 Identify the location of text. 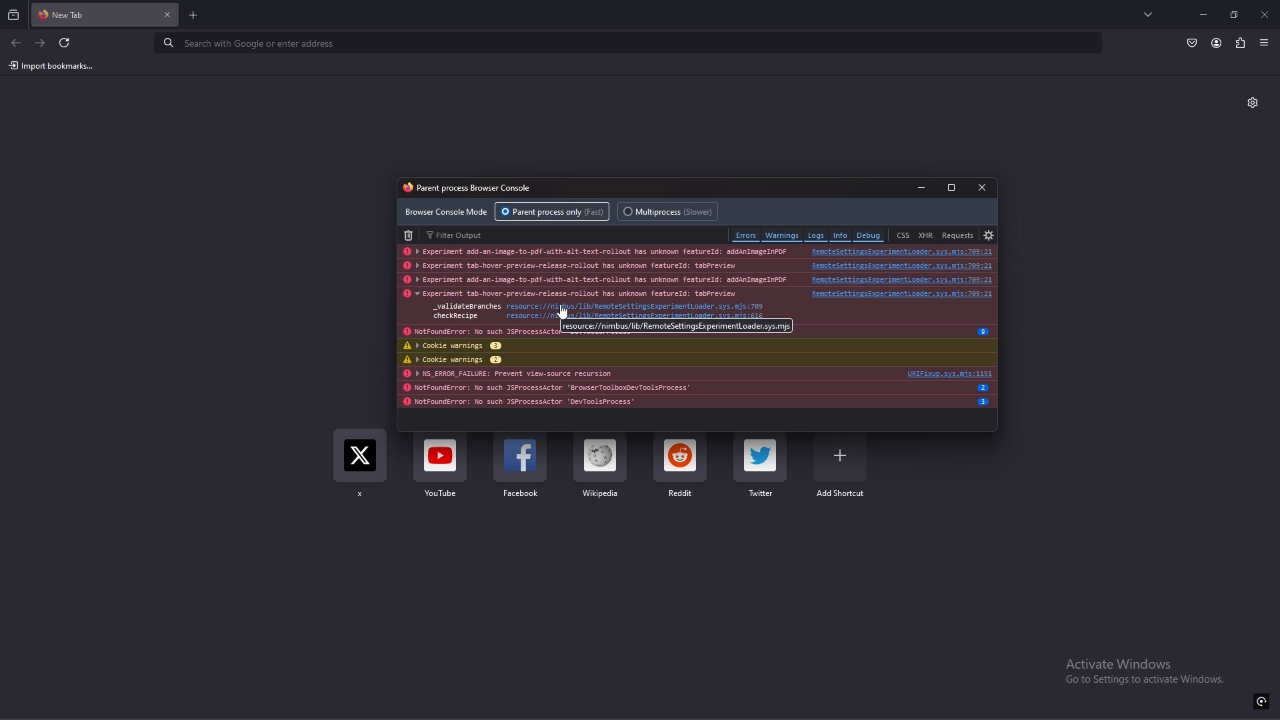
(1144, 671).